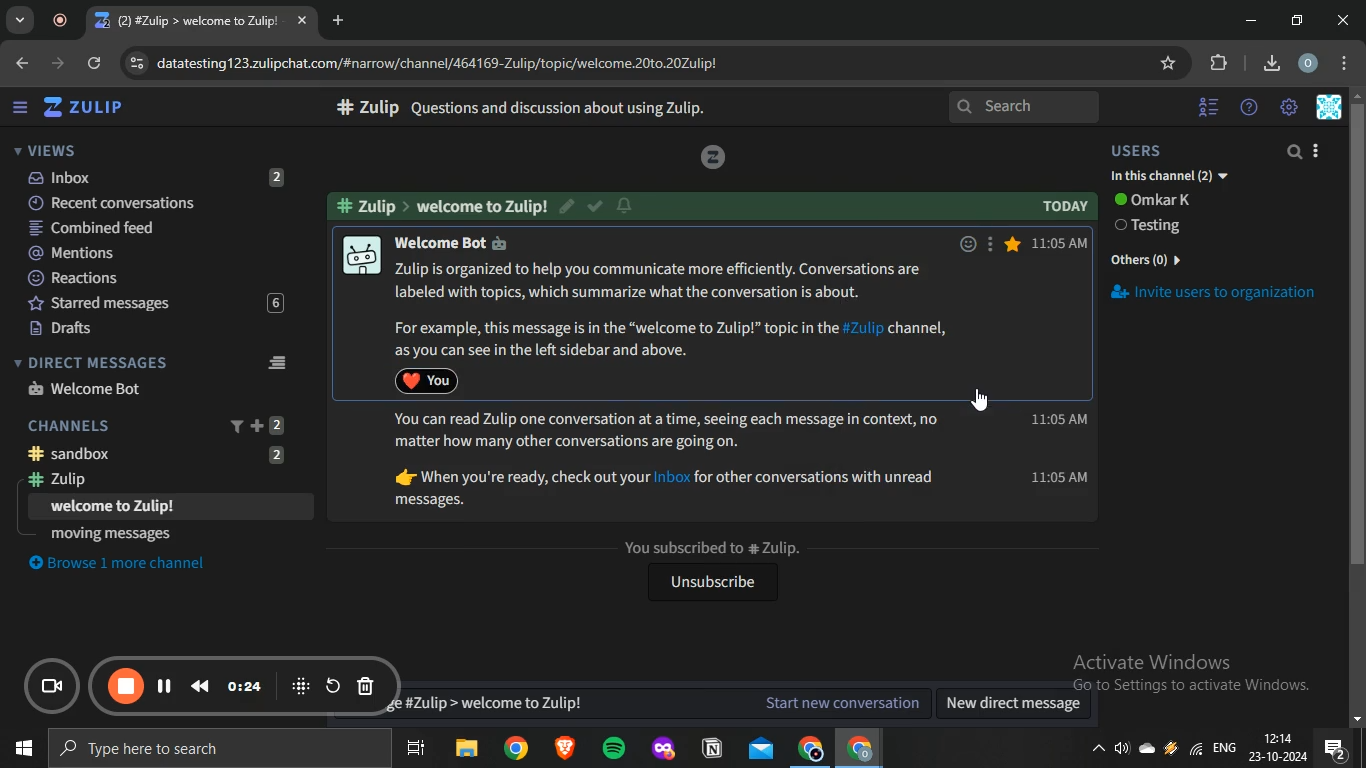  What do you see at coordinates (215, 750) in the screenshot?
I see `type here to search` at bounding box center [215, 750].